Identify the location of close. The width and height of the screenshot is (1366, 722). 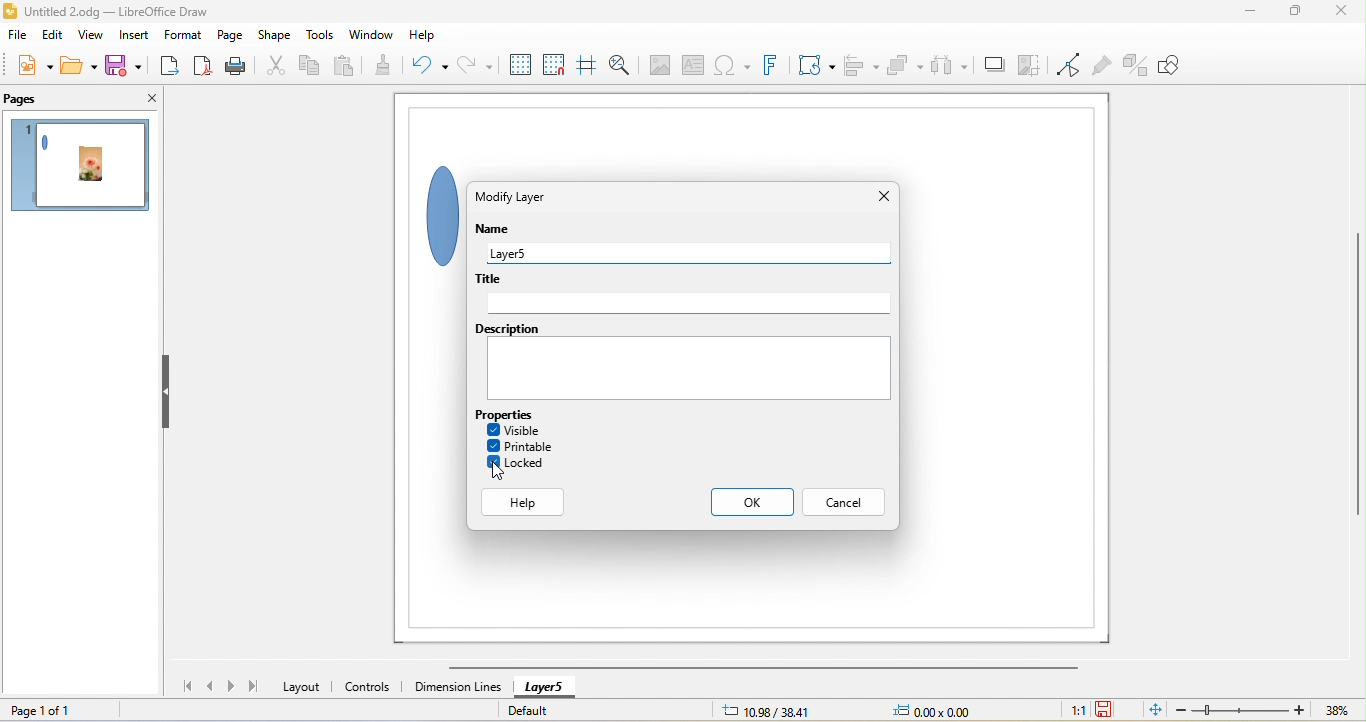
(149, 99).